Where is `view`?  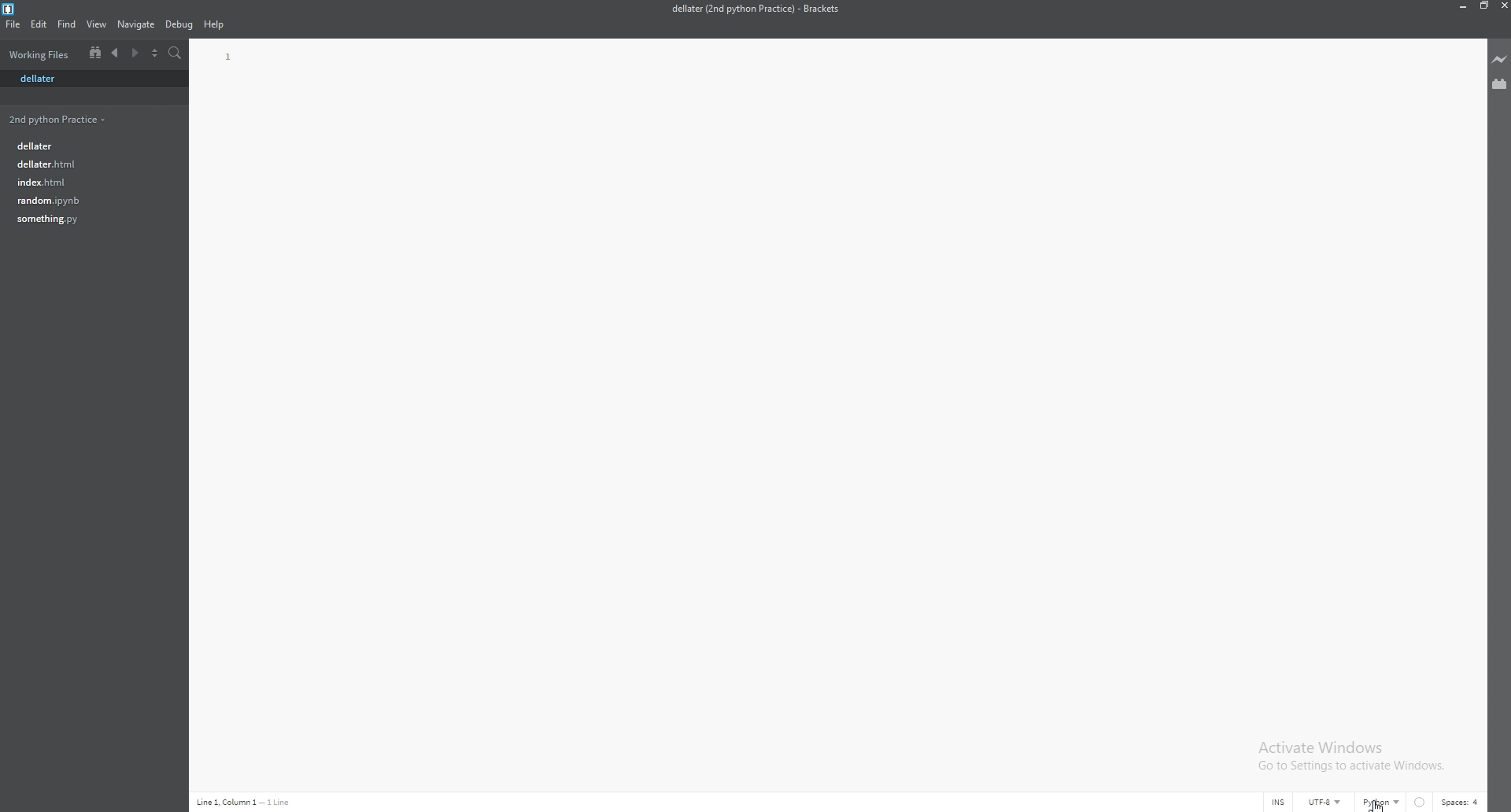
view is located at coordinates (98, 24).